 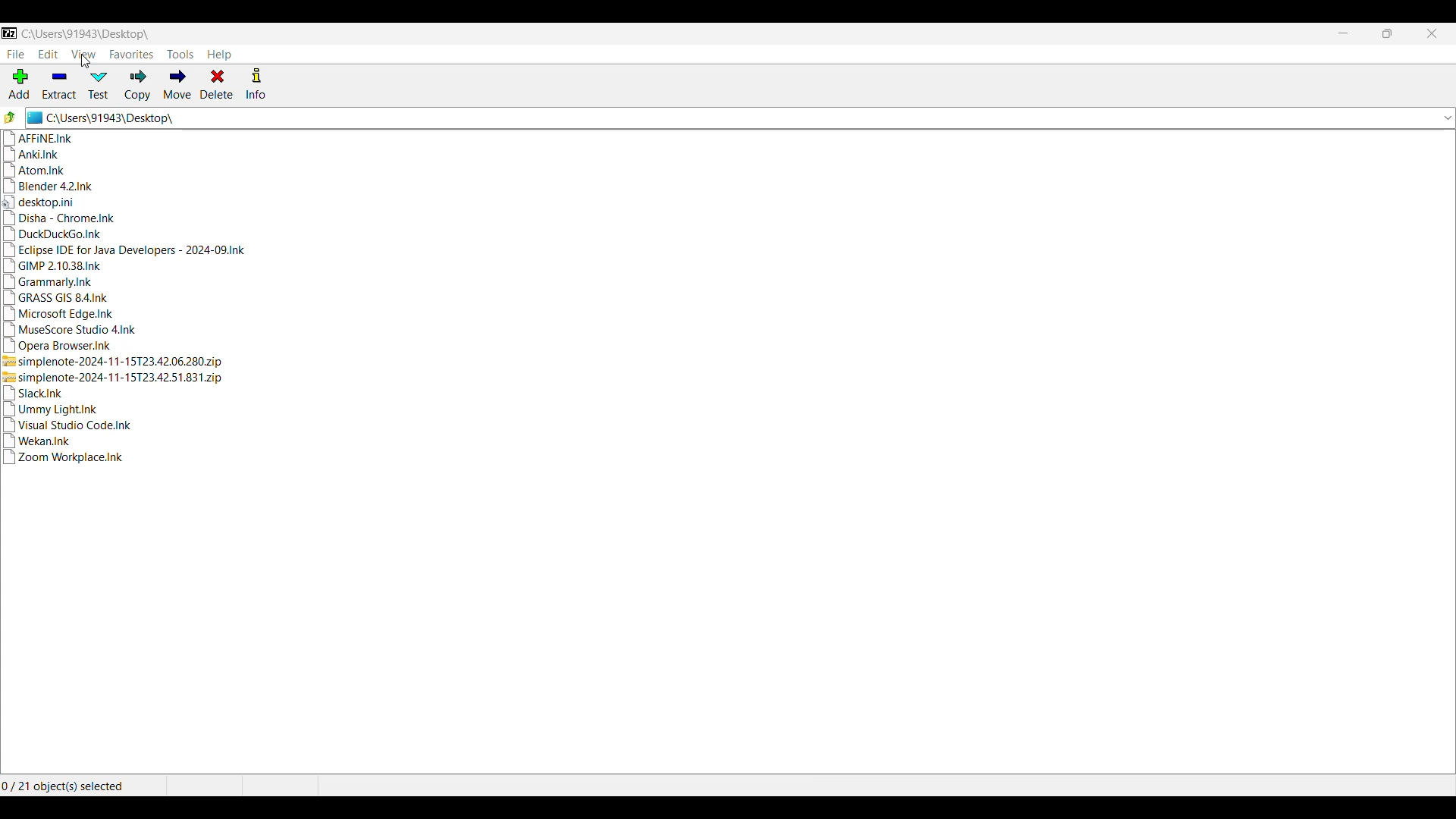 What do you see at coordinates (118, 362) in the screenshot?
I see `simplenote-2024-11-15723.42.06.280.zip` at bounding box center [118, 362].